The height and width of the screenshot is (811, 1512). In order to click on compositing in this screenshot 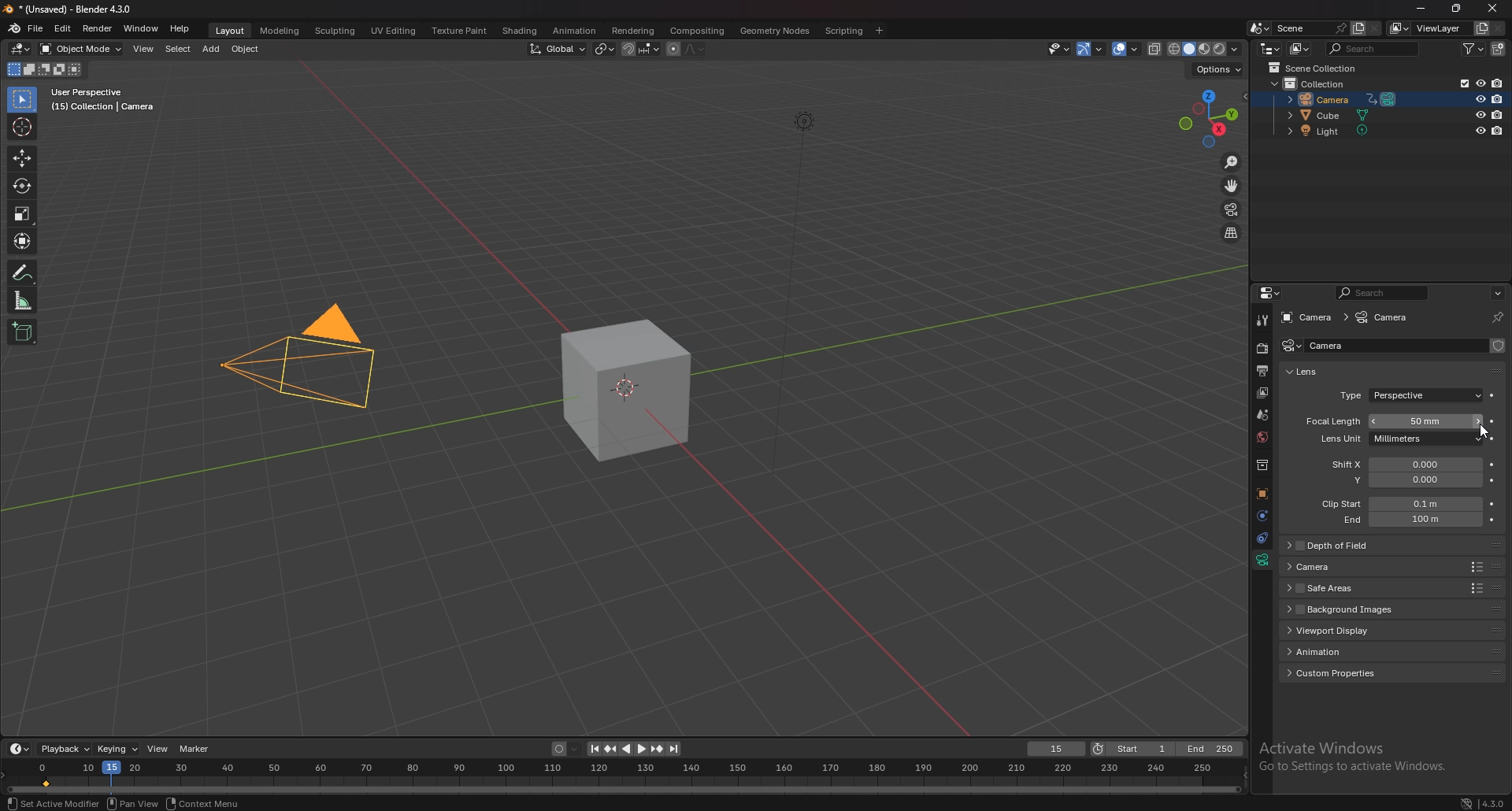, I will do `click(698, 31)`.